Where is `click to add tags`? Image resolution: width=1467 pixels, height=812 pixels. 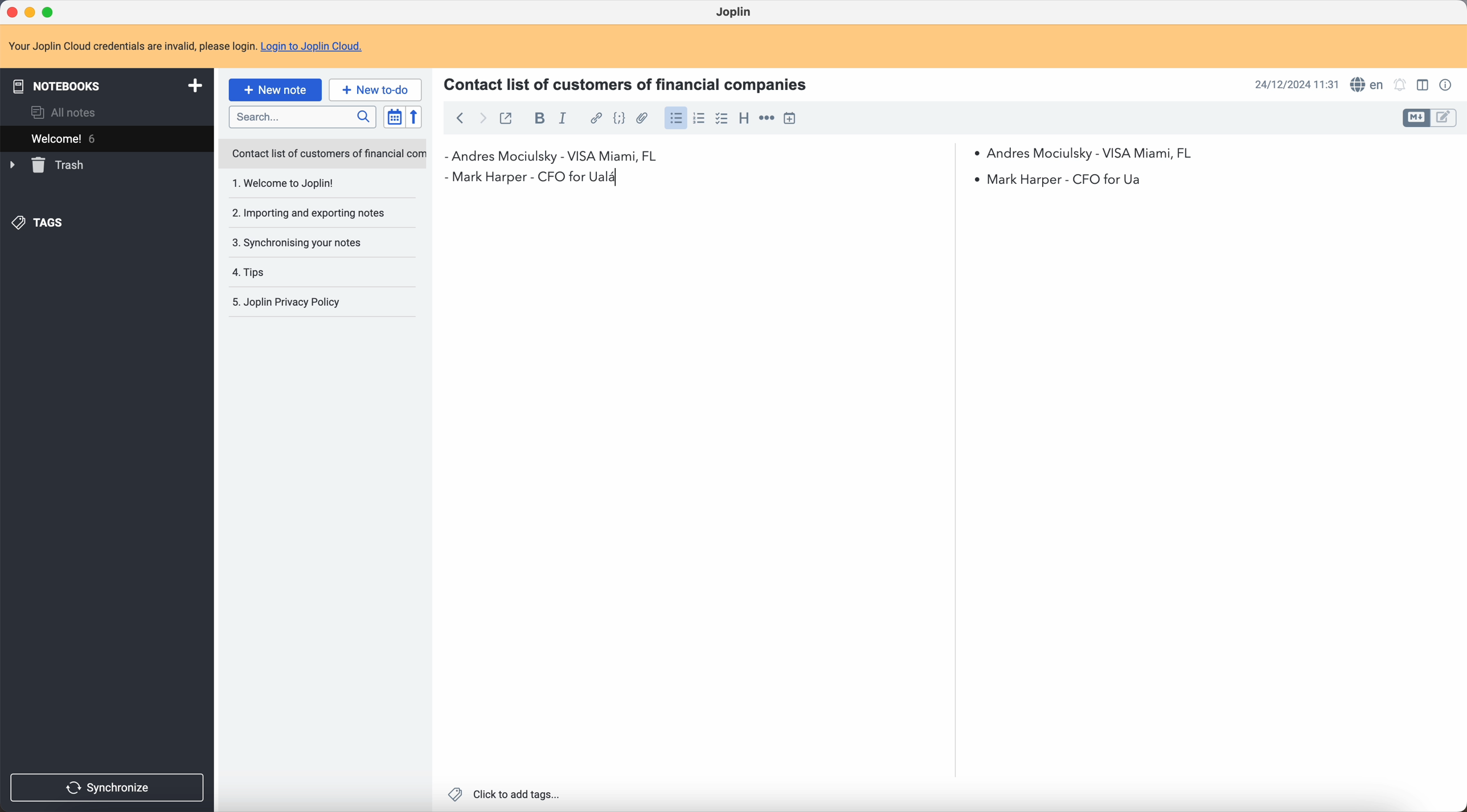
click to add tags is located at coordinates (503, 794).